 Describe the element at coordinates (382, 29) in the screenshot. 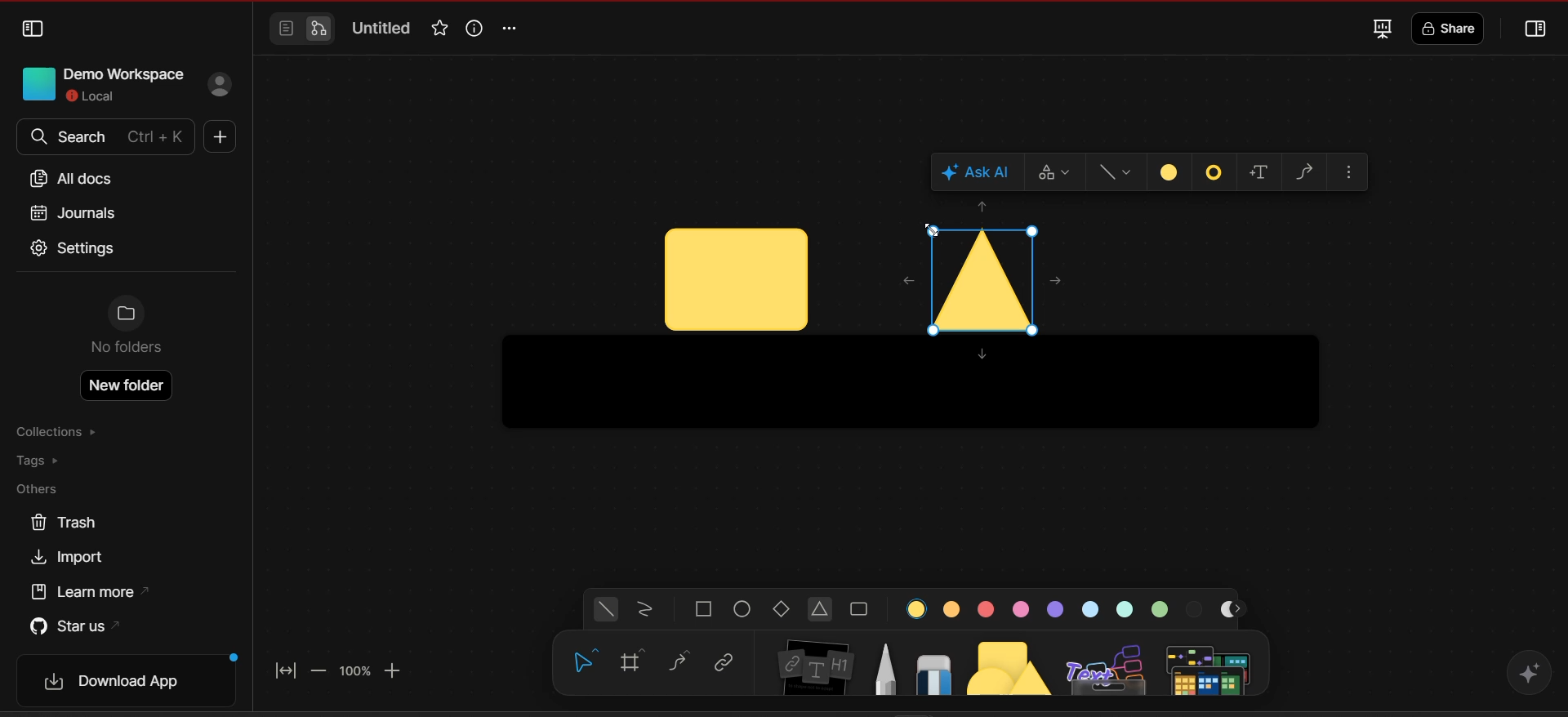

I see `Untitled` at that location.